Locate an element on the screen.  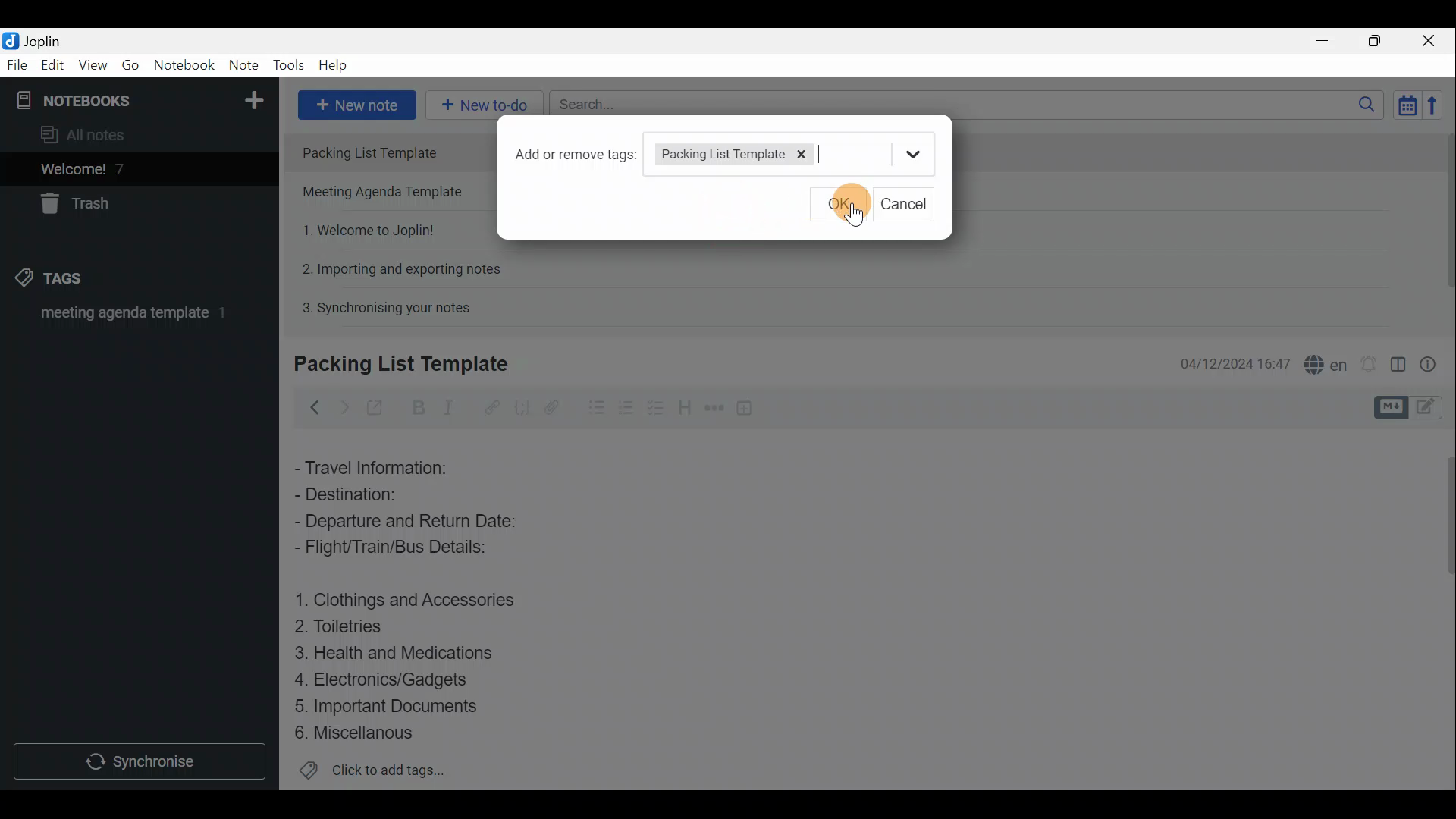
Bulleted list is located at coordinates (591, 410).